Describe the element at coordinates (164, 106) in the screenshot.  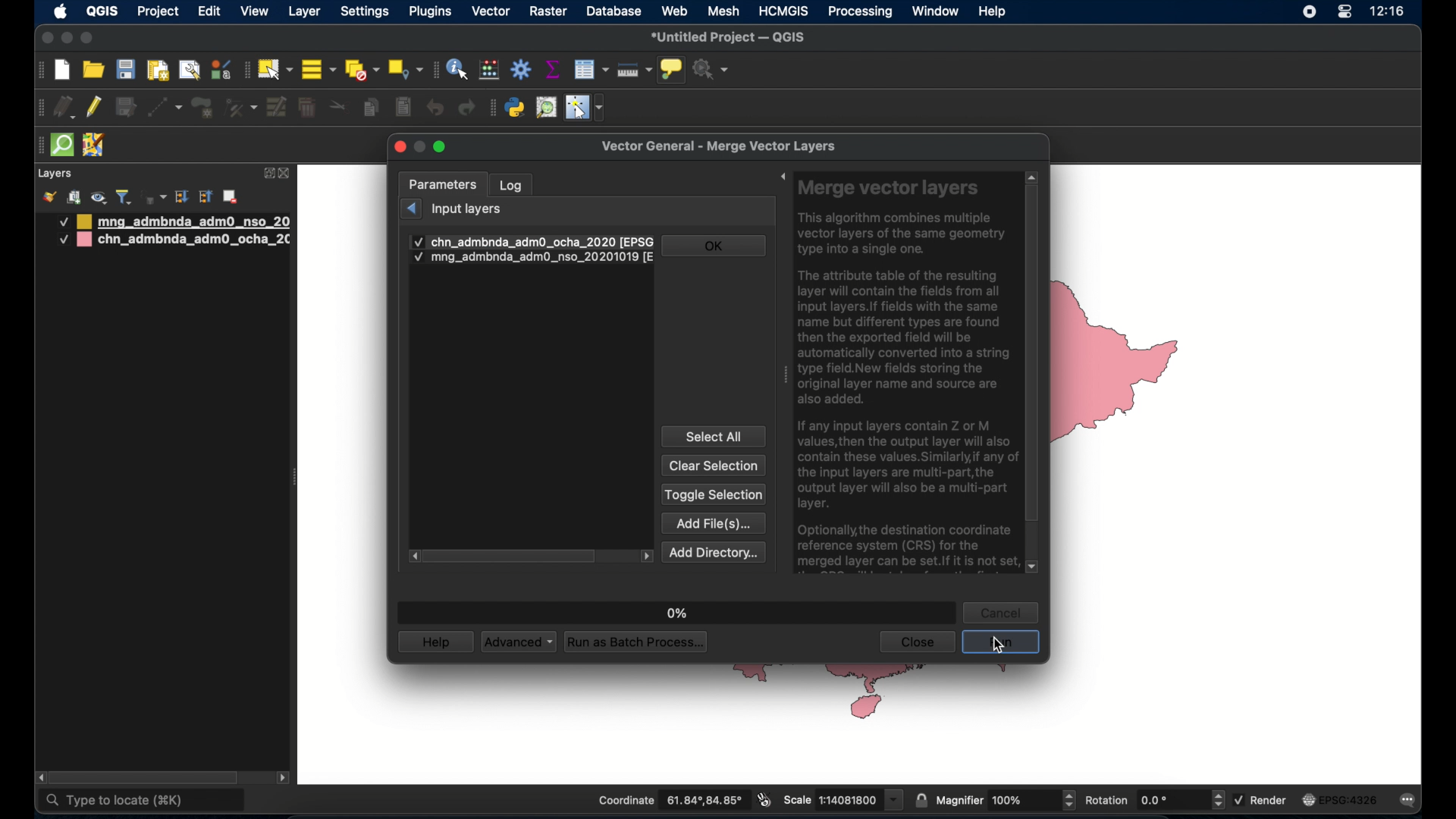
I see `digitize with segment` at that location.